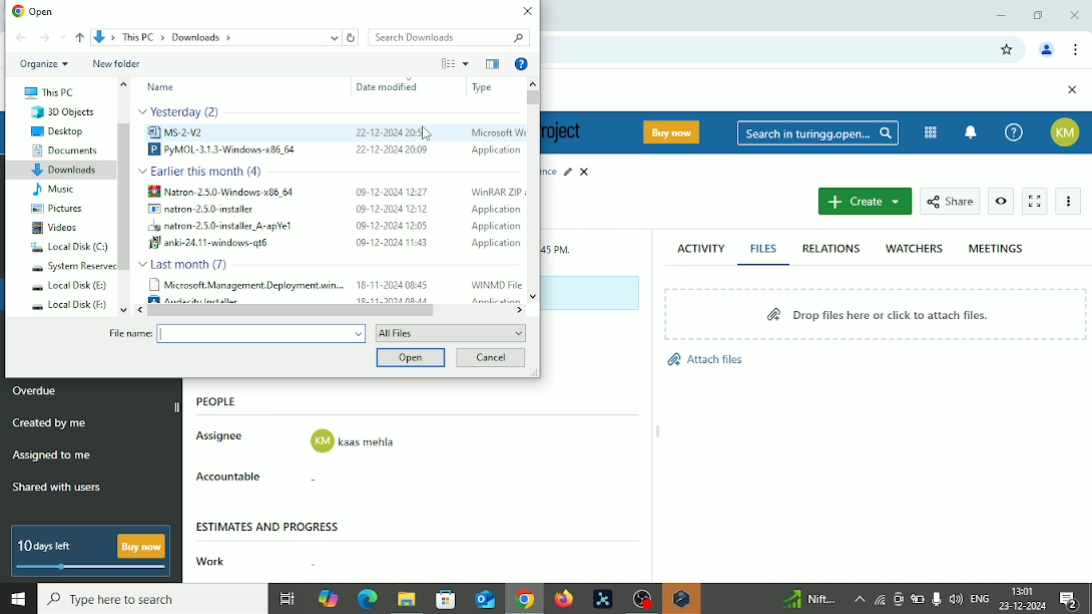 This screenshot has height=614, width=1092. What do you see at coordinates (563, 599) in the screenshot?
I see `Firefox` at bounding box center [563, 599].